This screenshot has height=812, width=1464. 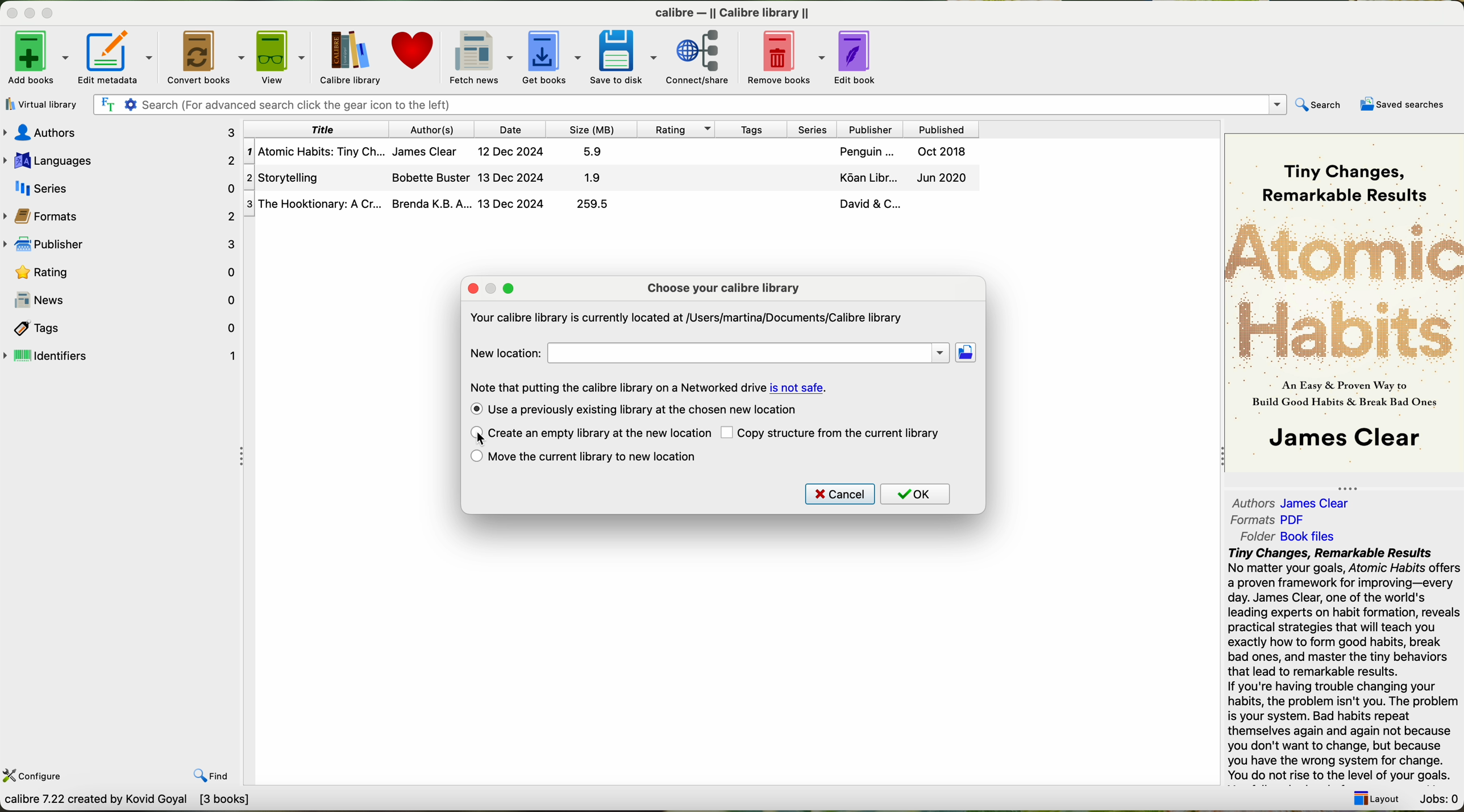 I want to click on convert books, so click(x=207, y=57).